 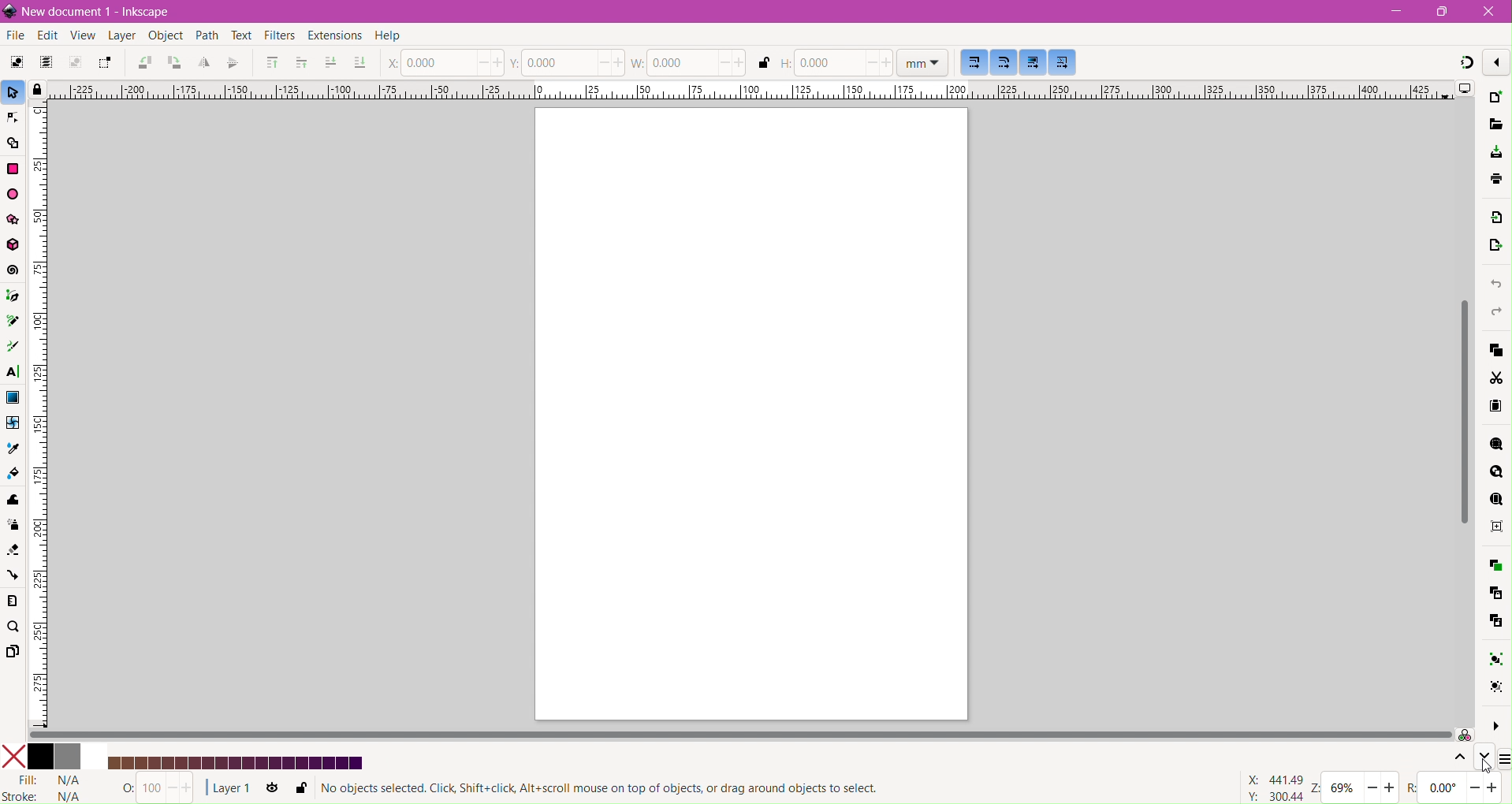 I want to click on Mesh Tool, so click(x=12, y=422).